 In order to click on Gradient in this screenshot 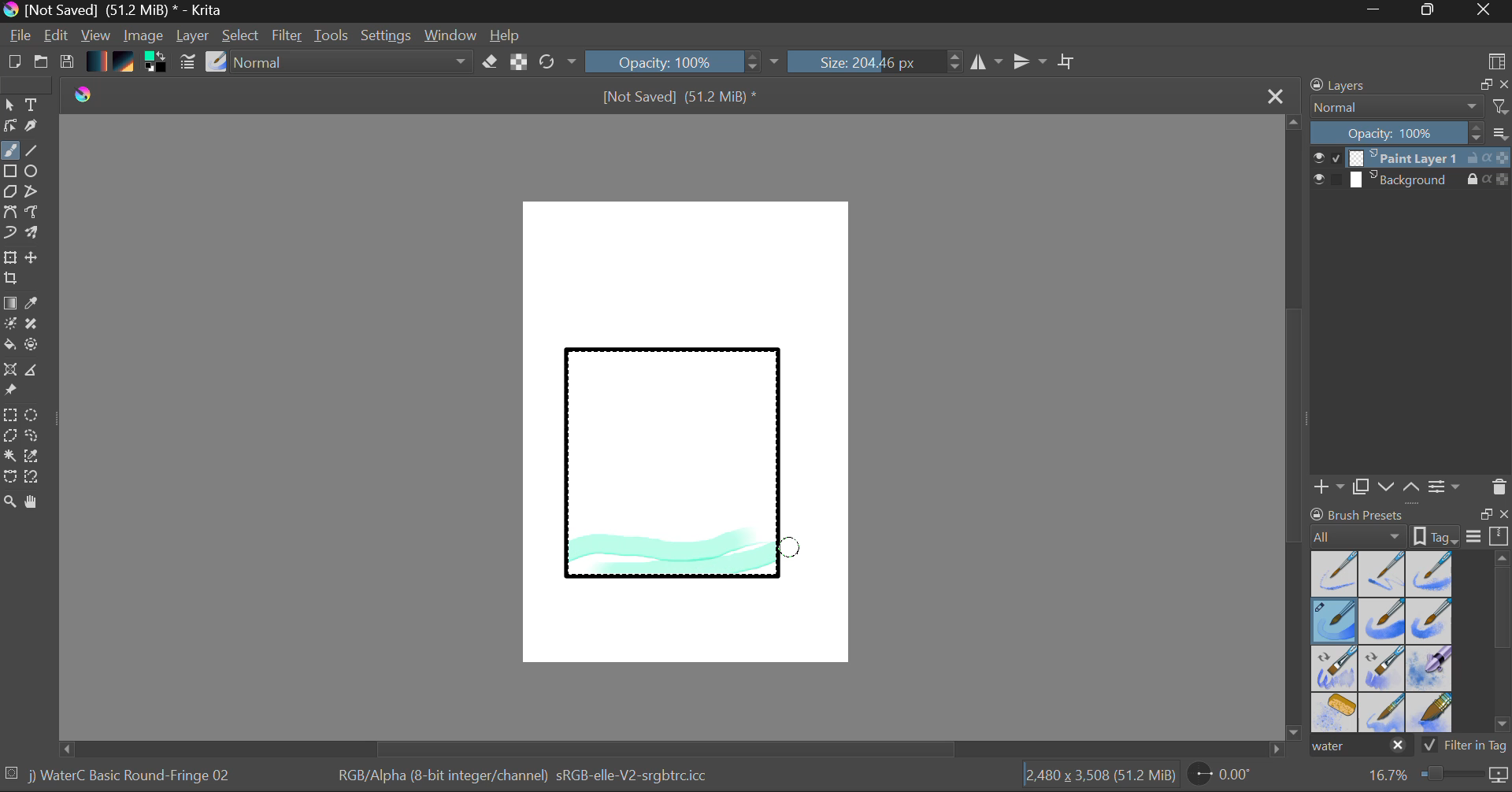, I will do `click(95, 60)`.